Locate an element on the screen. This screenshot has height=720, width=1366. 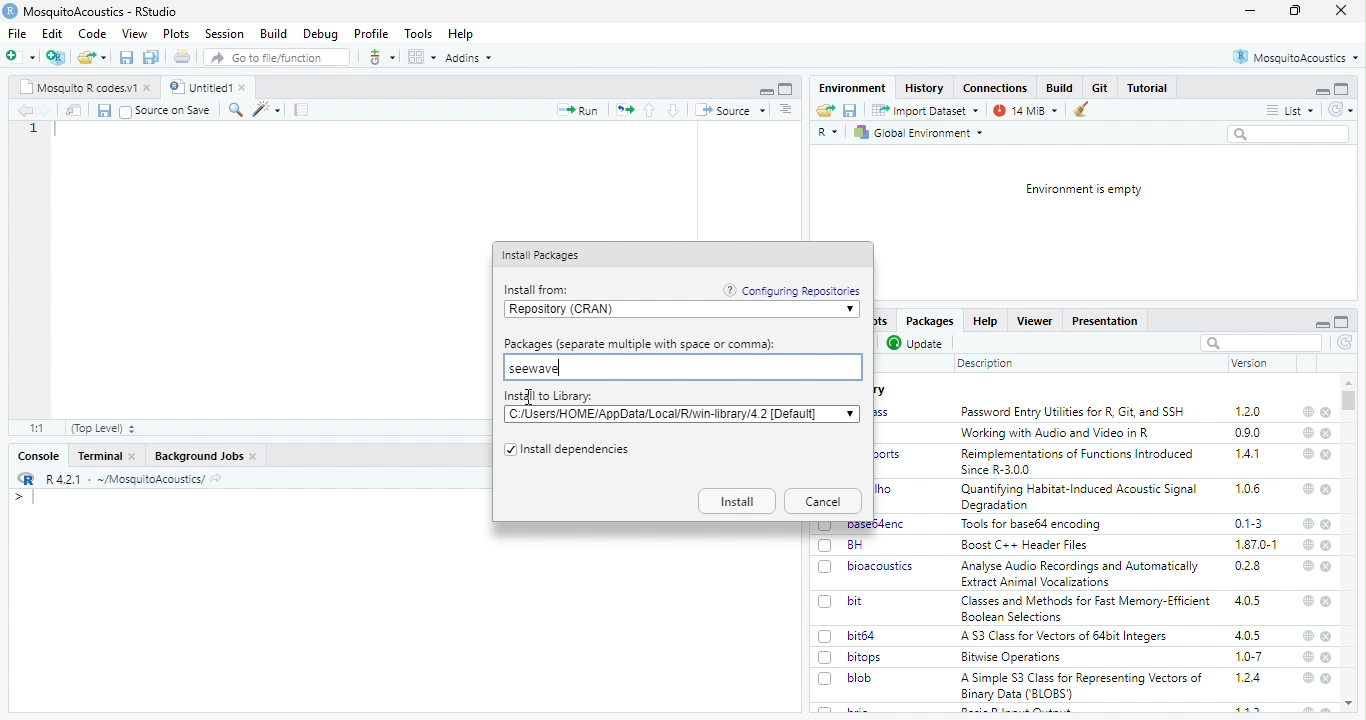
Dataset’s  is located at coordinates (303, 110).